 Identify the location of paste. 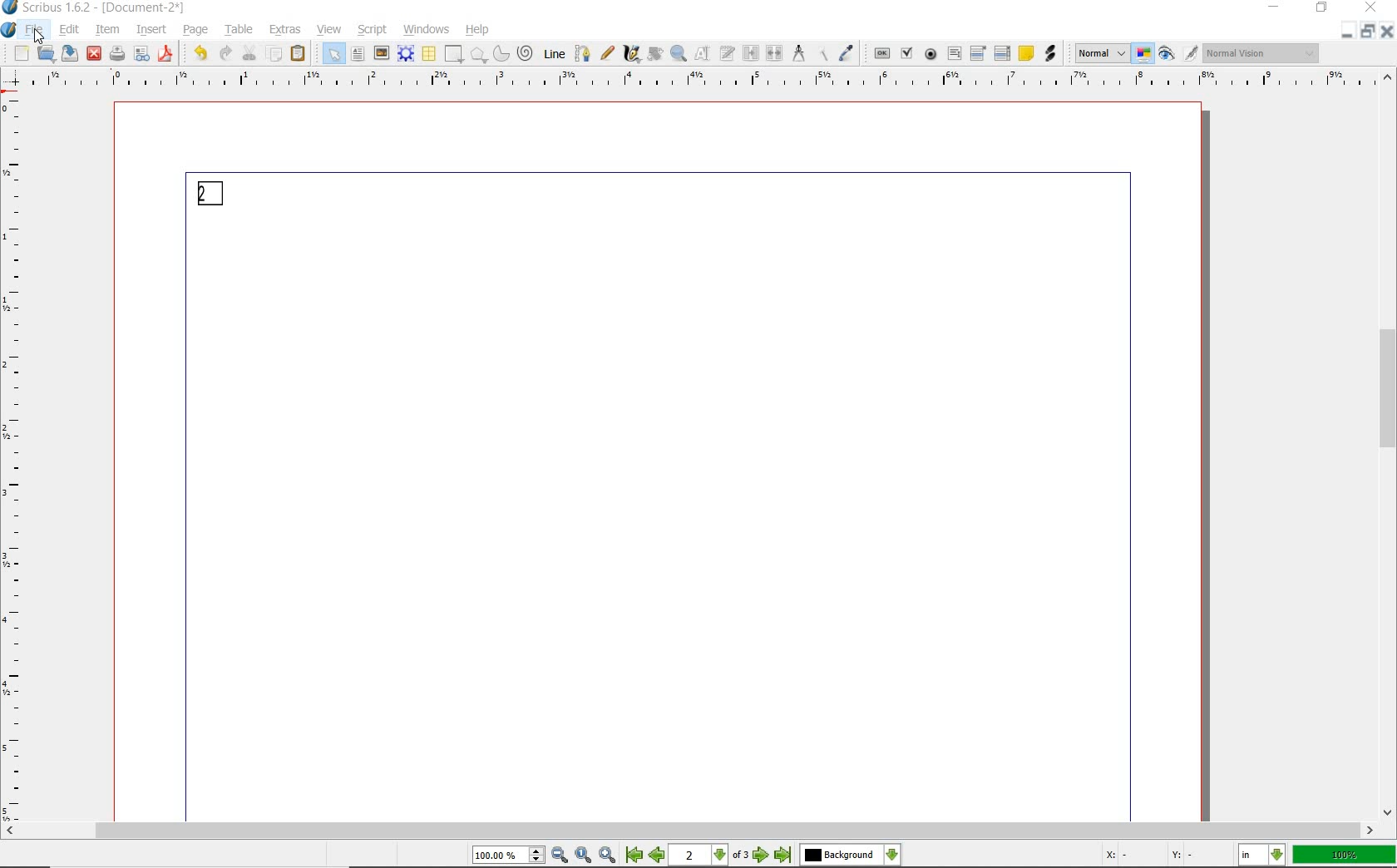
(298, 56).